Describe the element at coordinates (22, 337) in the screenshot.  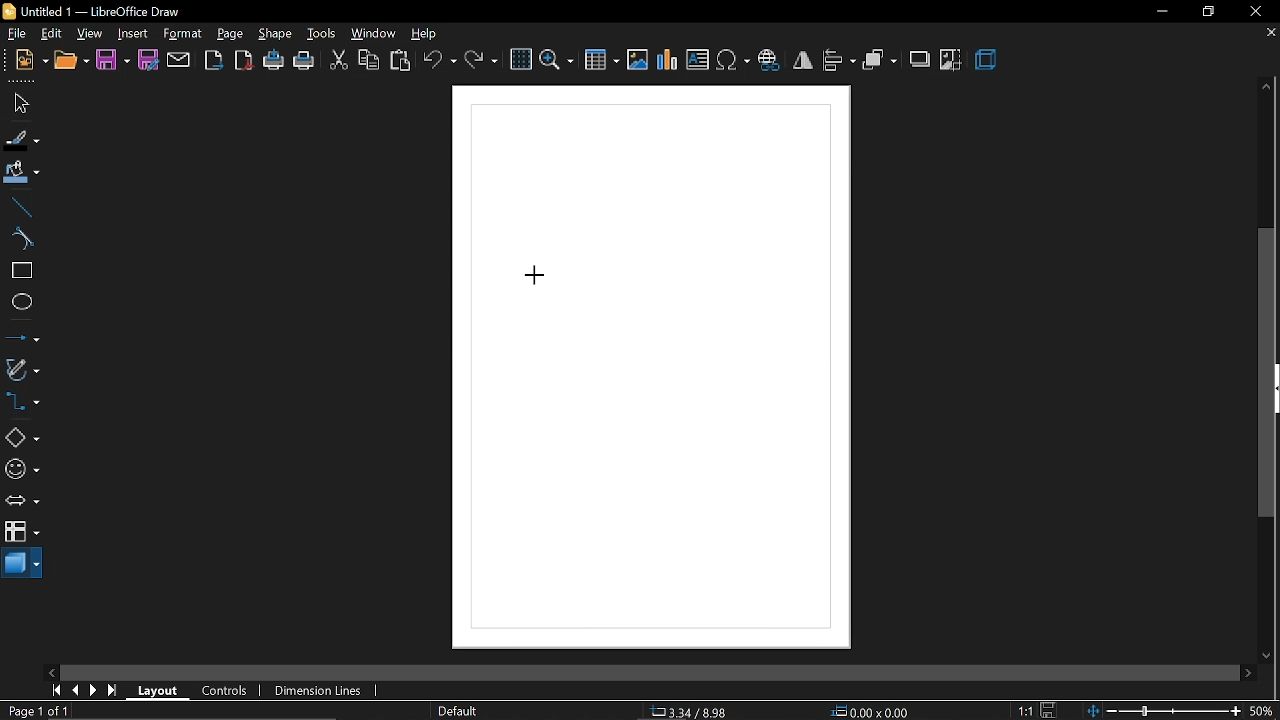
I see `lines and arrow` at that location.